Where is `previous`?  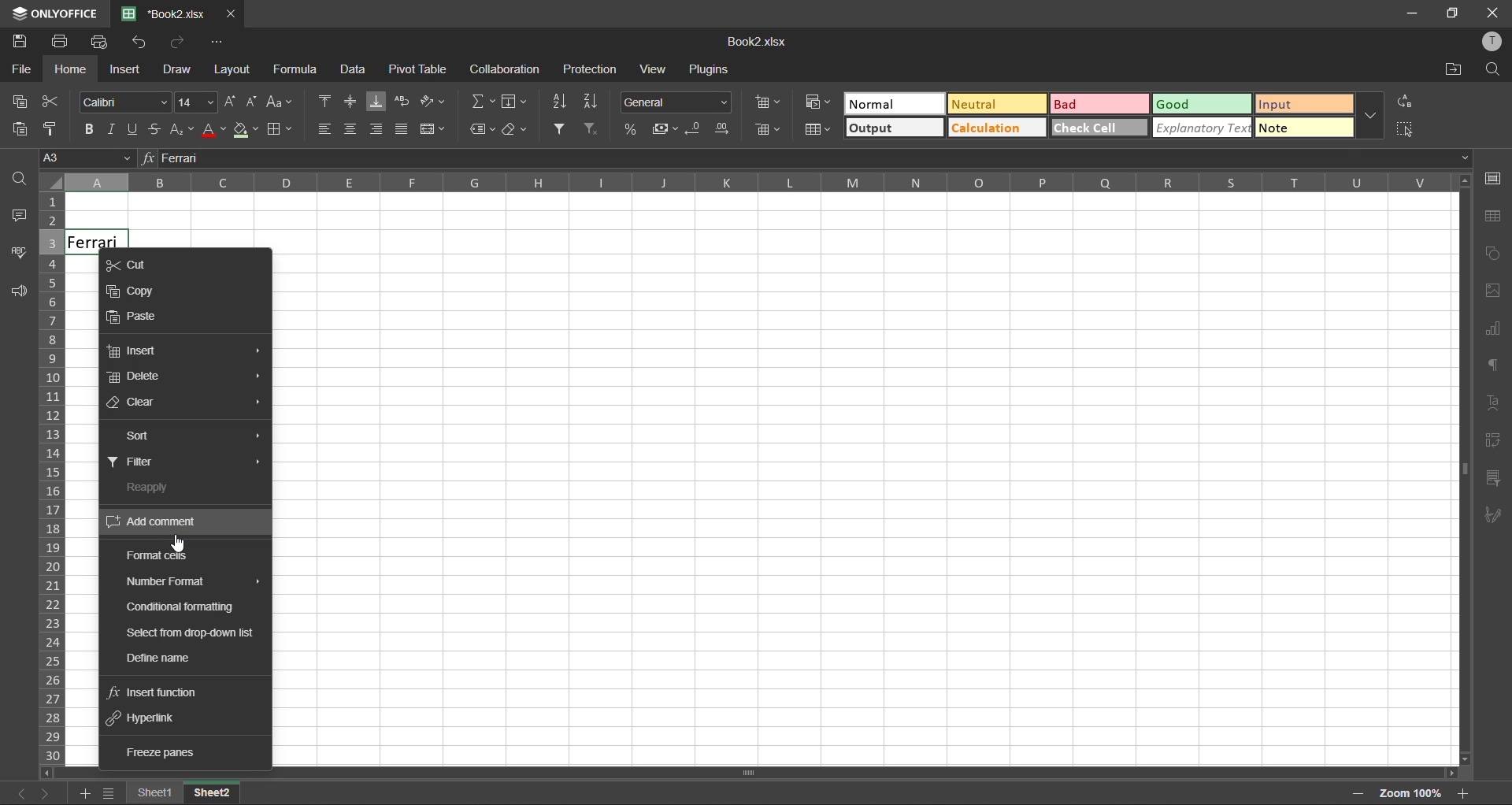 previous is located at coordinates (18, 793).